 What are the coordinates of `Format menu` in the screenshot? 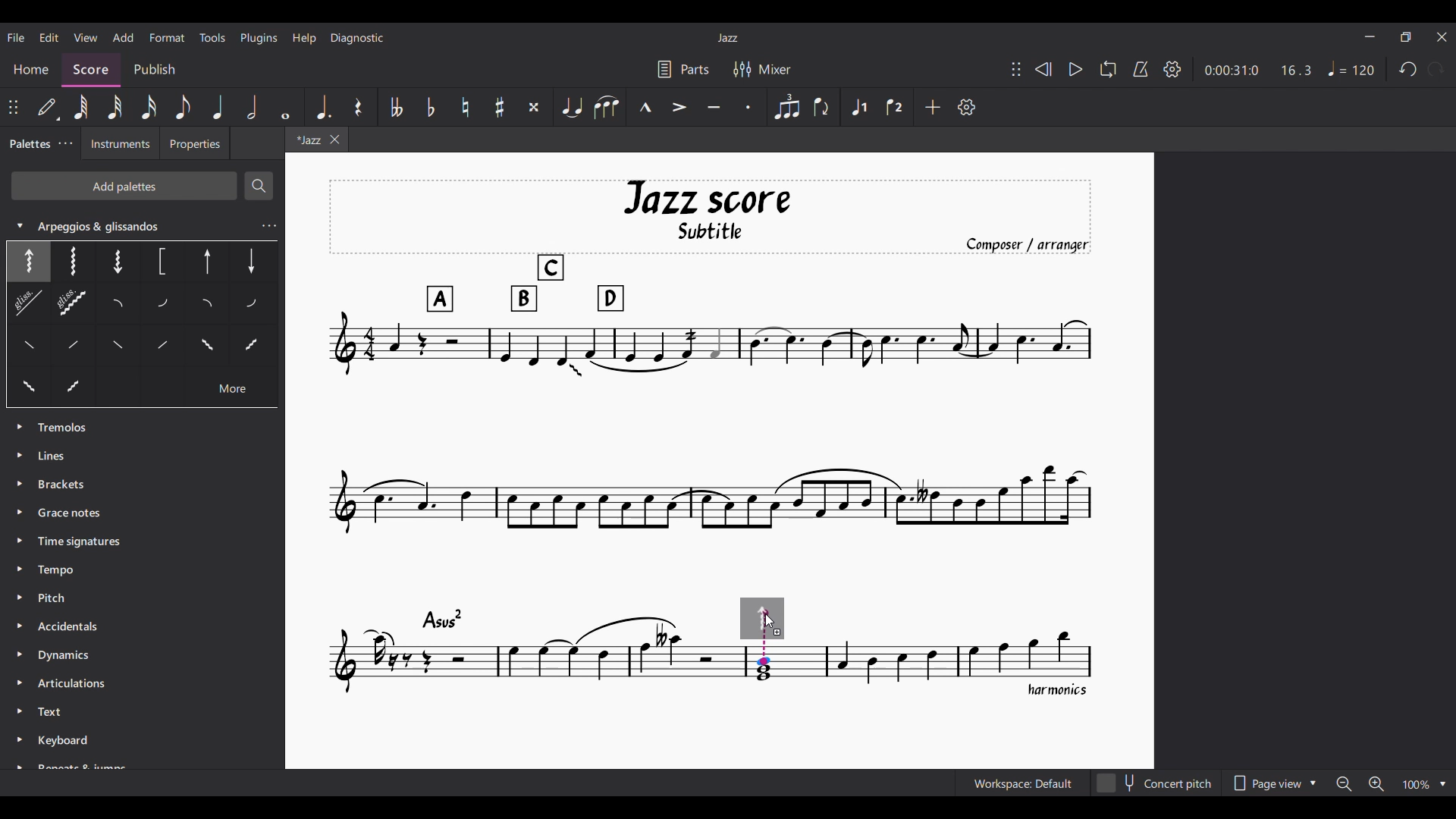 It's located at (168, 37).